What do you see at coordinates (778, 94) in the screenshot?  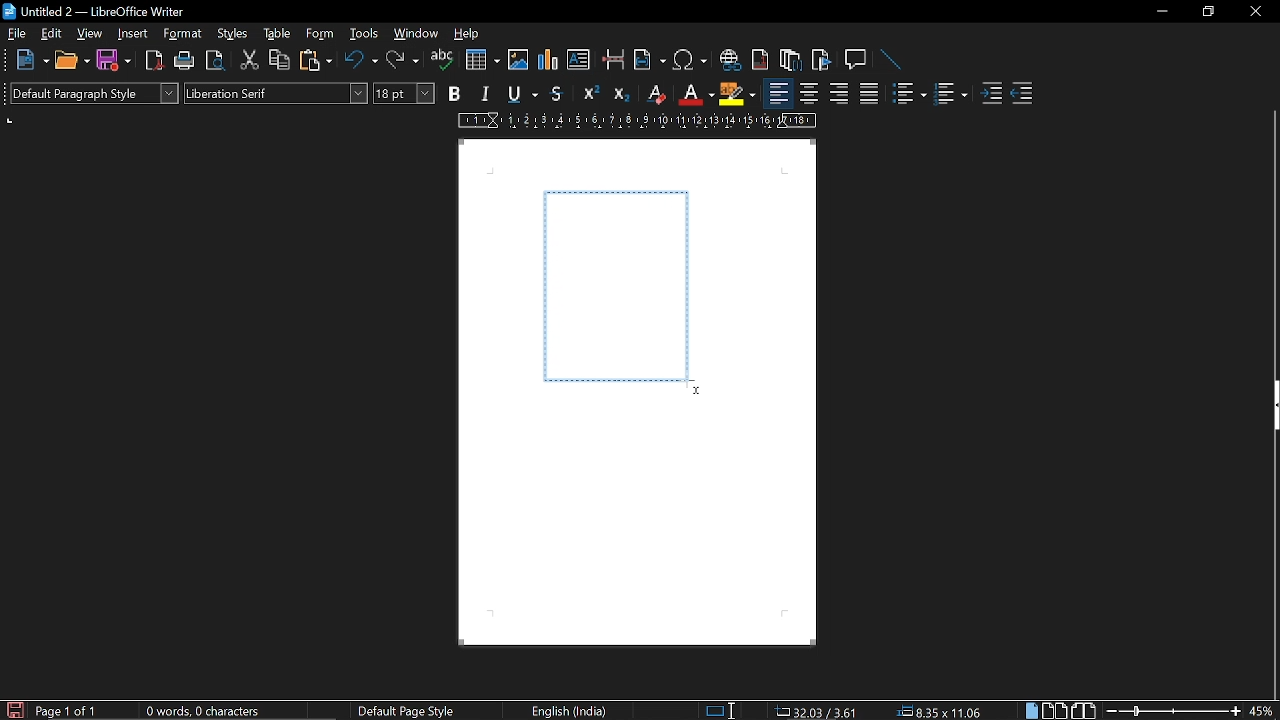 I see `align left` at bounding box center [778, 94].